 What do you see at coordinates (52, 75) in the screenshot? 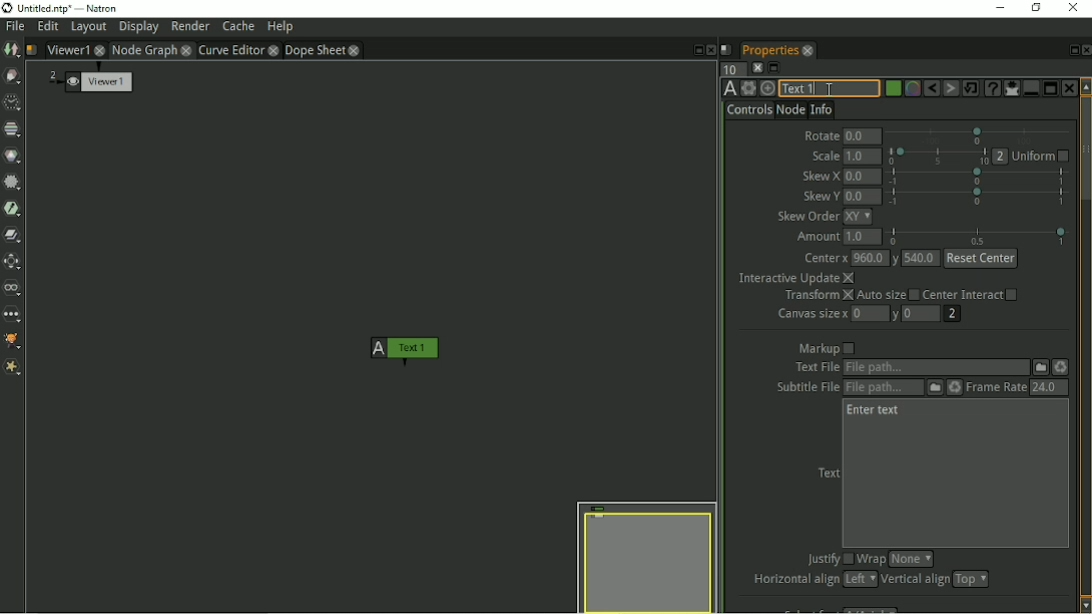
I see `2` at bounding box center [52, 75].